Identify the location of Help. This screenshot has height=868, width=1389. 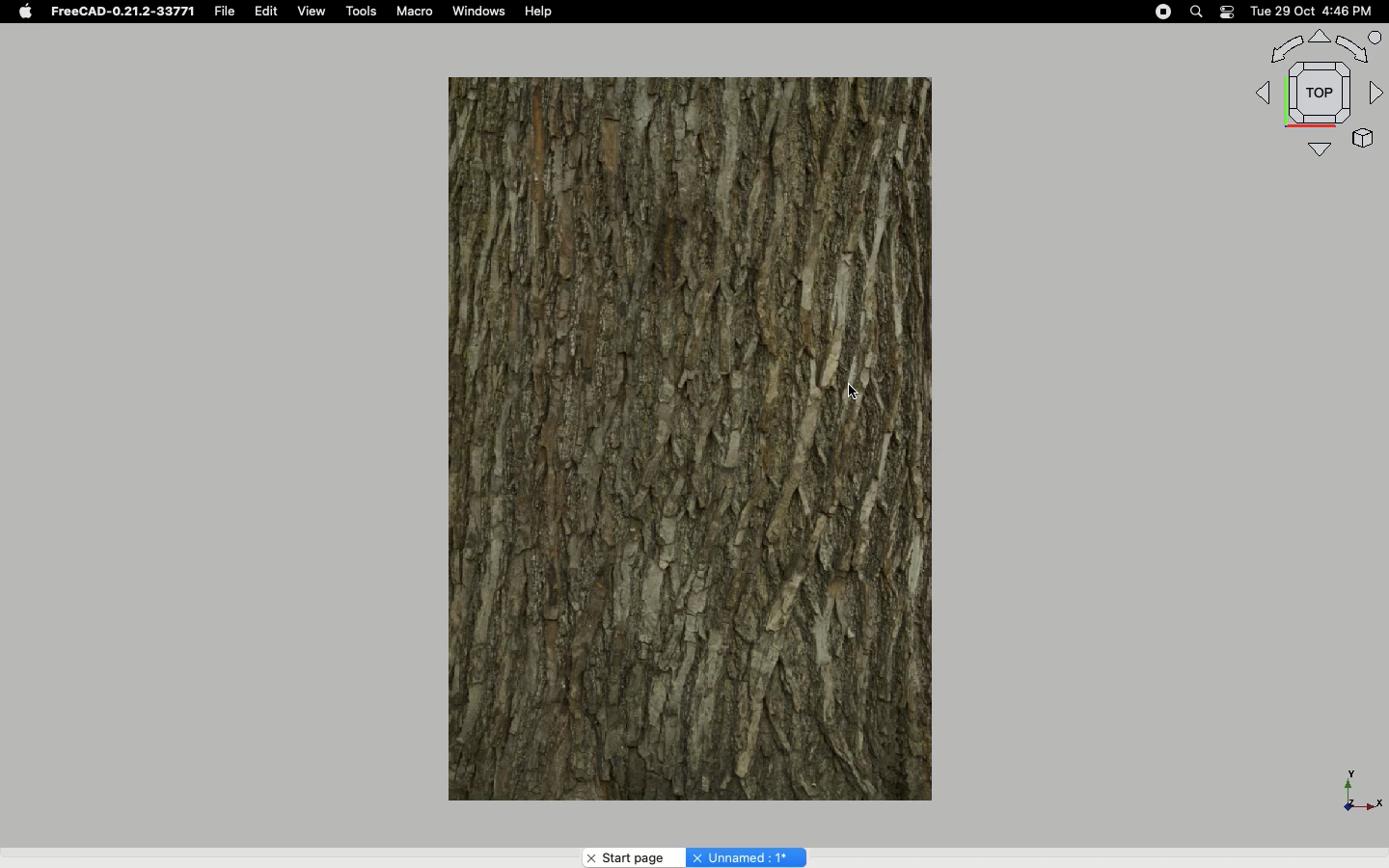
(540, 12).